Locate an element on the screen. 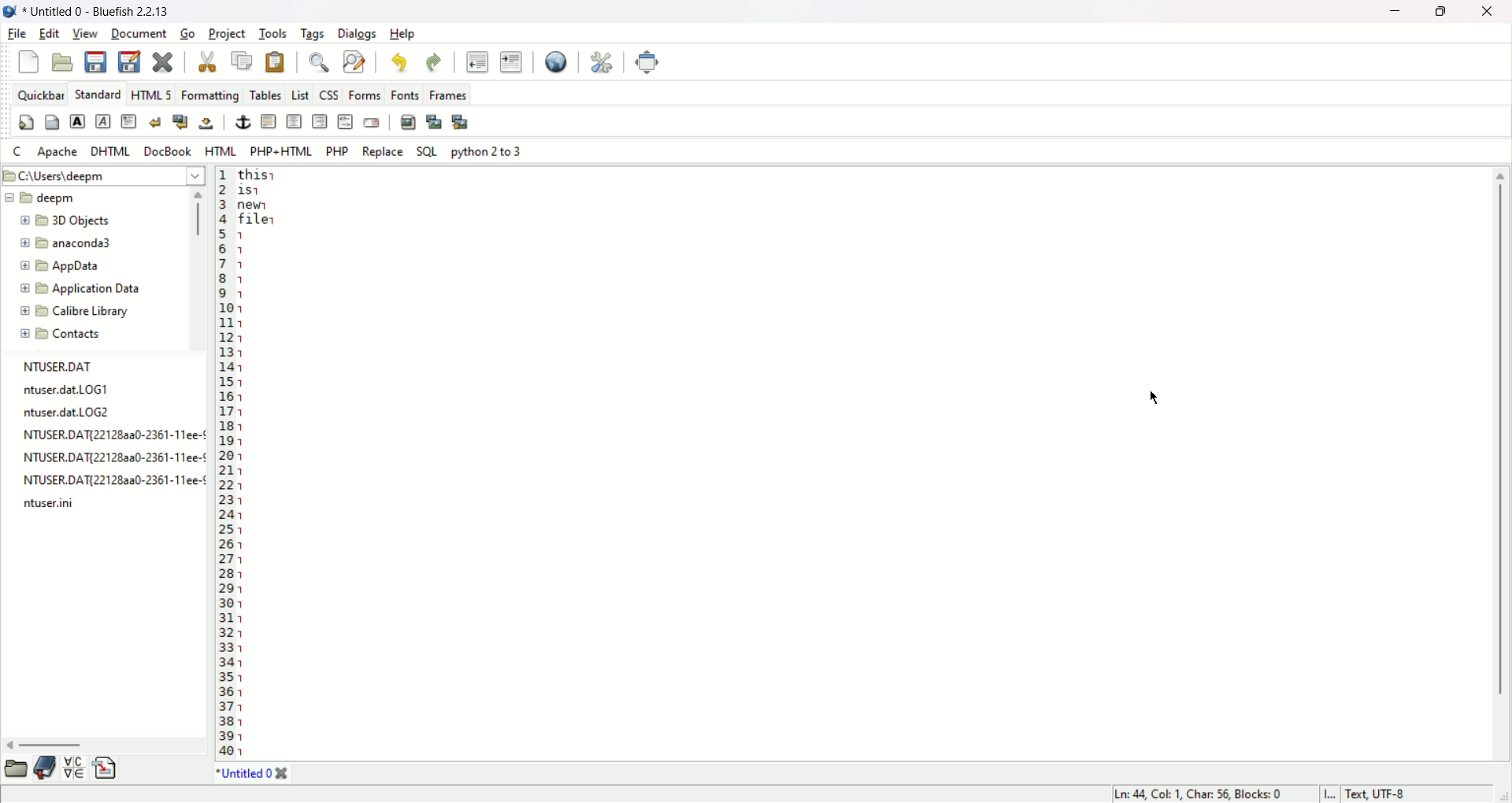 The image size is (1512, 803). Formatting is located at coordinates (209, 94).